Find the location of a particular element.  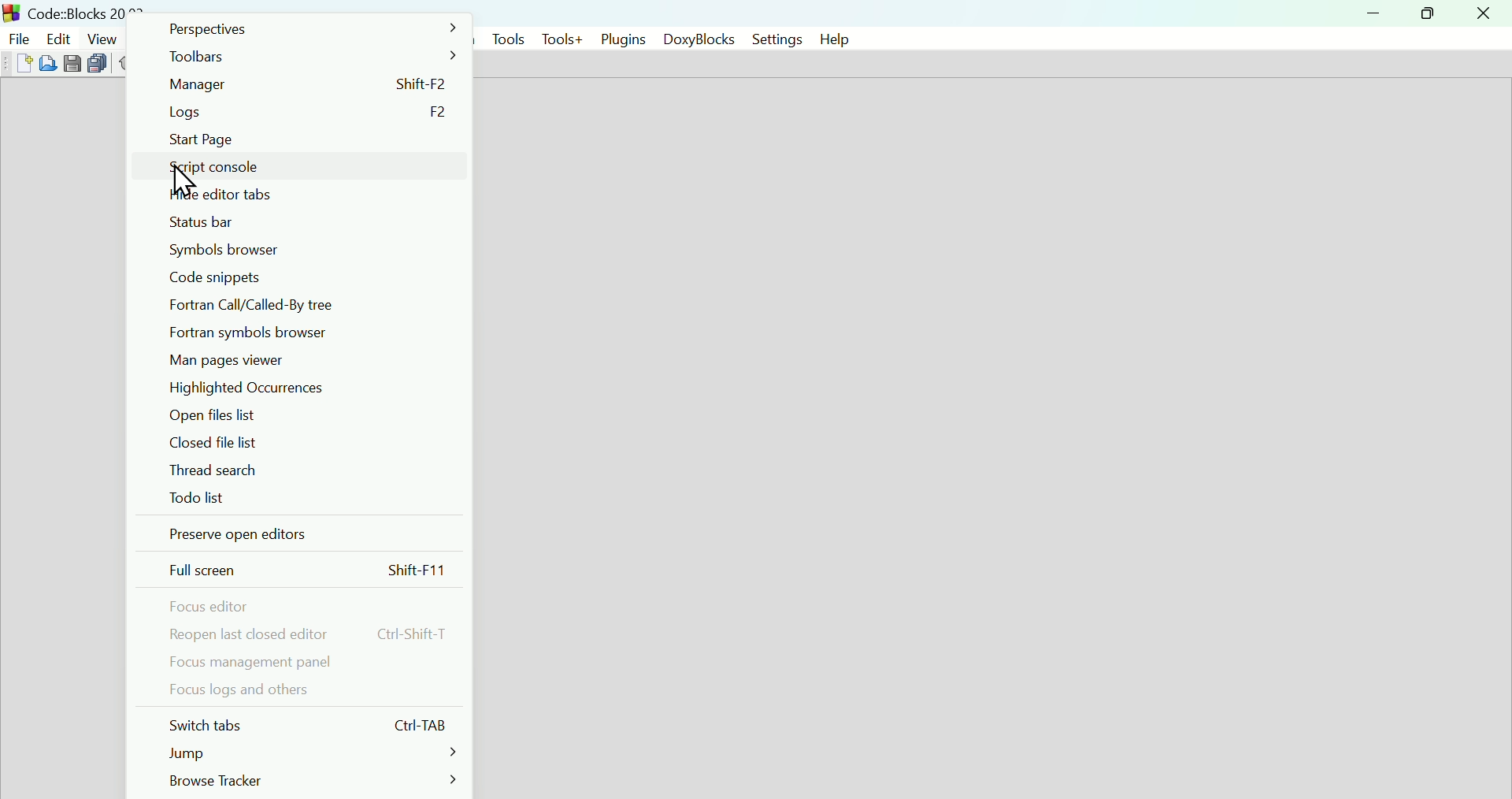

Save is located at coordinates (72, 63).